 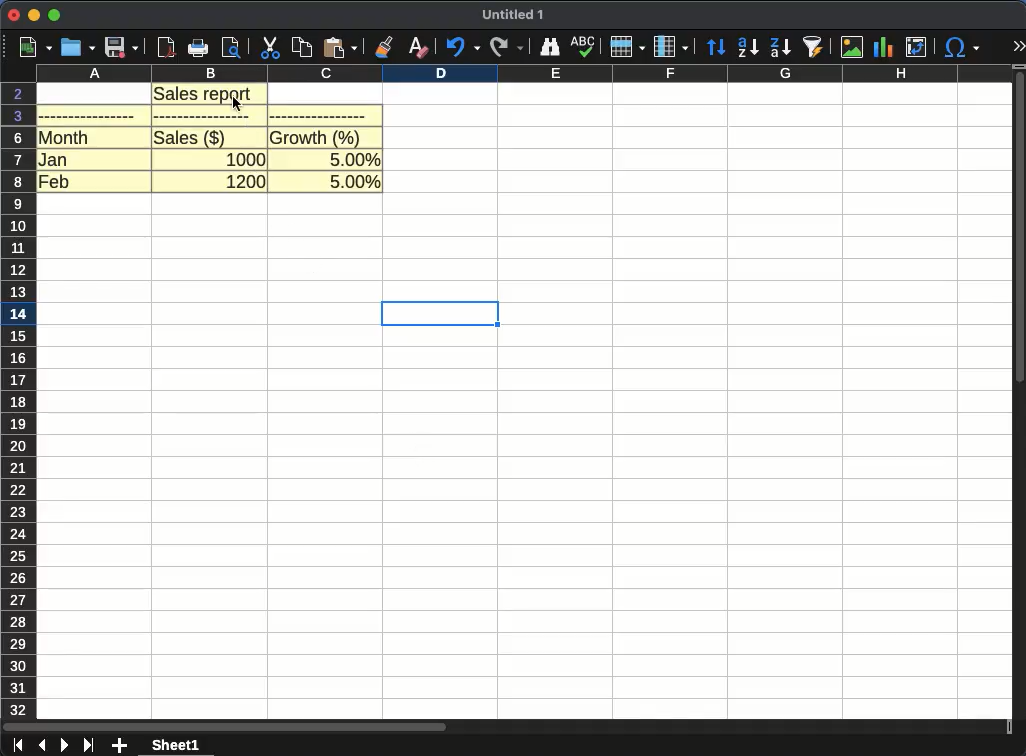 I want to click on new, so click(x=31, y=48).